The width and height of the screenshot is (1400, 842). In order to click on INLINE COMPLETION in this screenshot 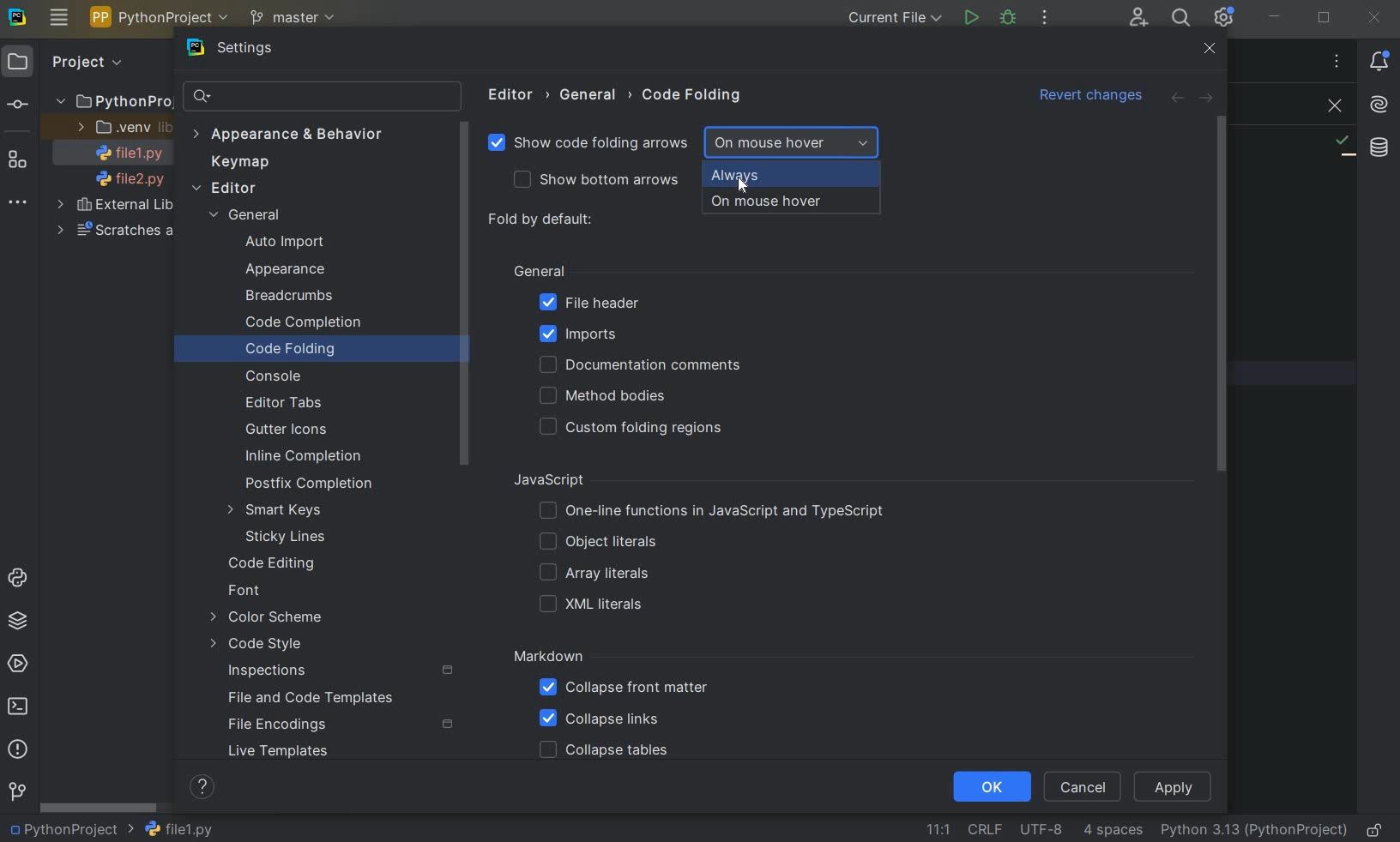, I will do `click(307, 456)`.